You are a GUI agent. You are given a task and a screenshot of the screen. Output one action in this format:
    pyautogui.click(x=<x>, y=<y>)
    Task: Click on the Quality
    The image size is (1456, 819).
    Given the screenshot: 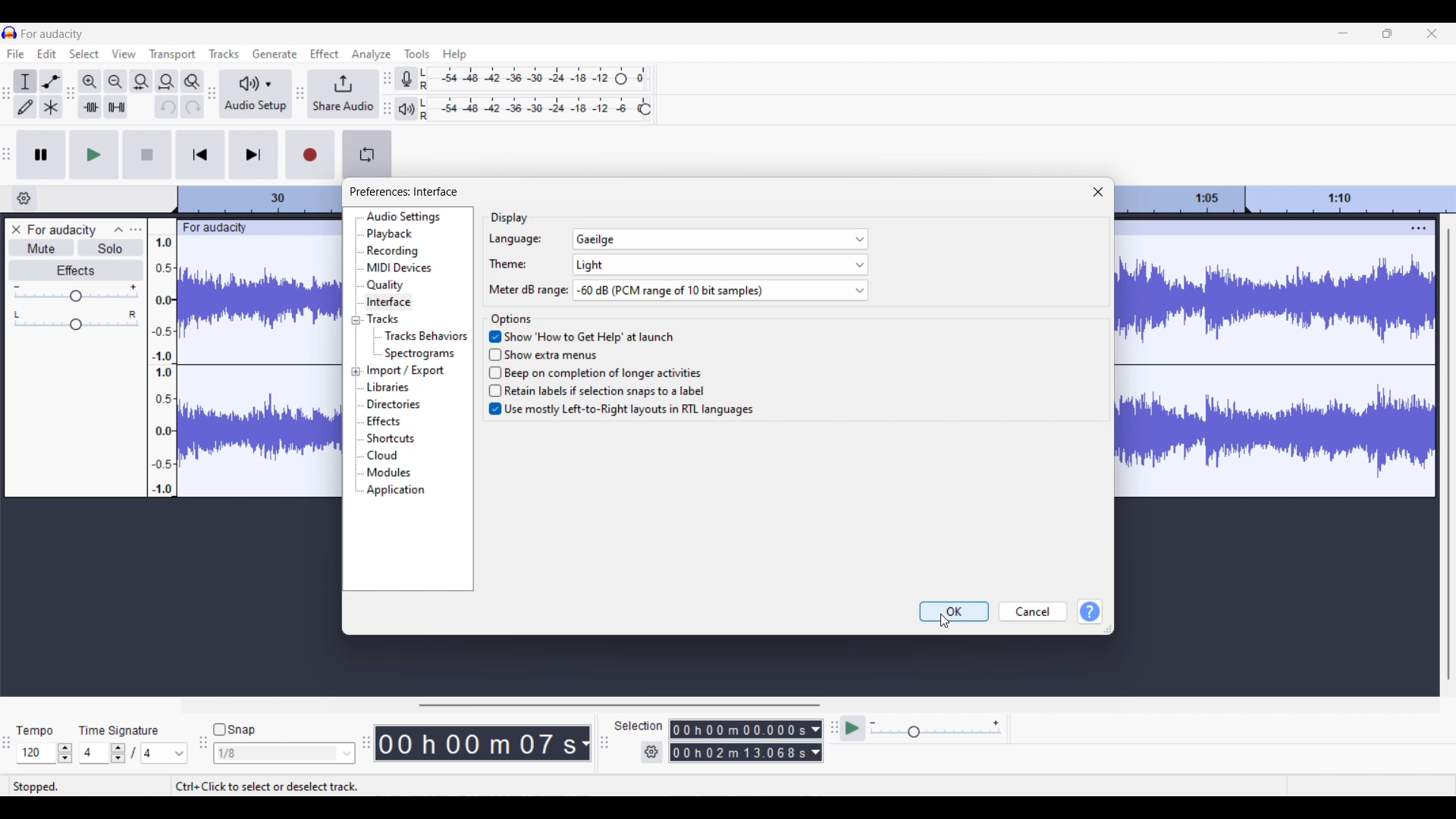 What is the action you would take?
    pyautogui.click(x=385, y=285)
    